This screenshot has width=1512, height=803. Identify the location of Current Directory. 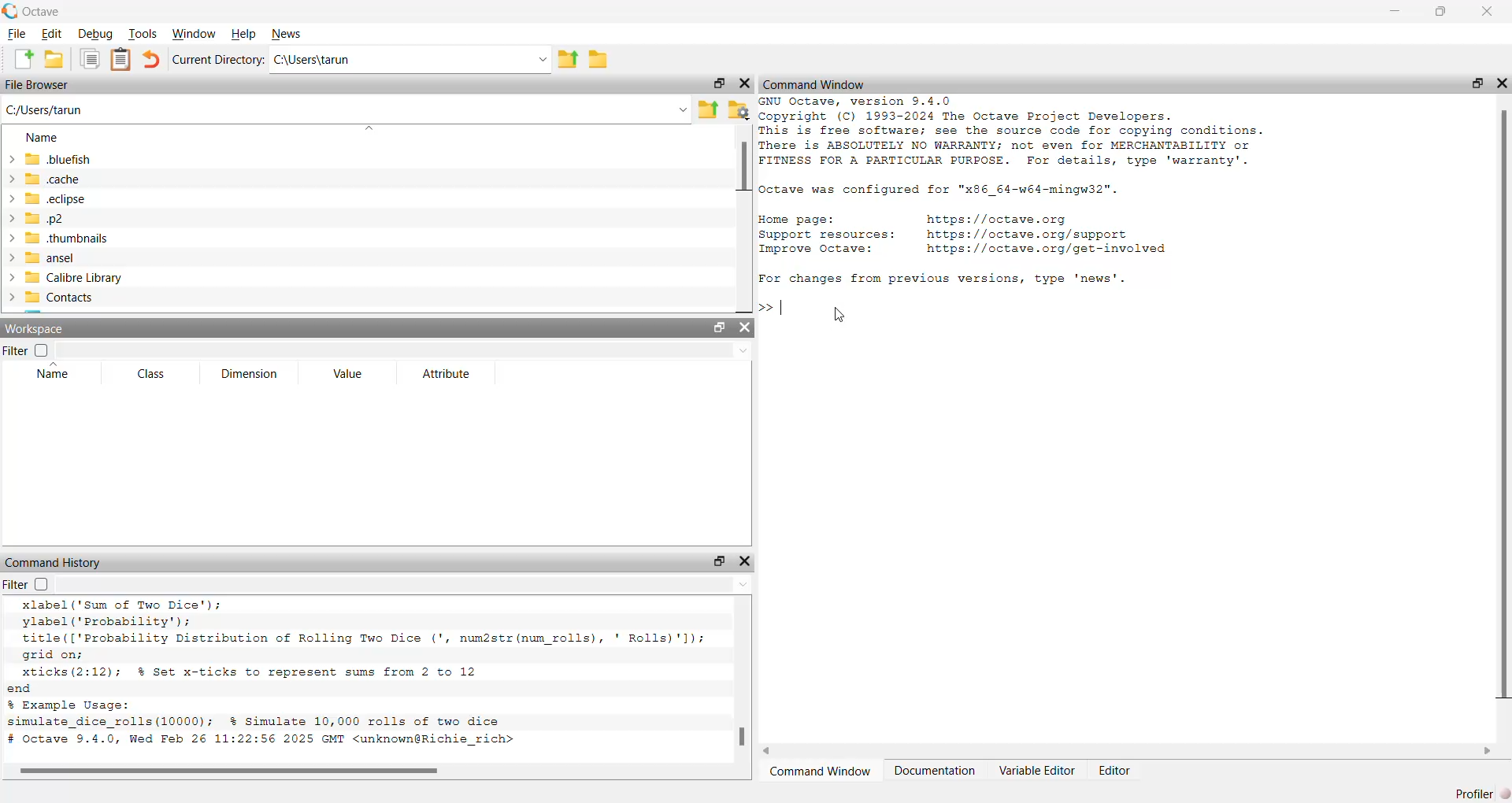
(218, 60).